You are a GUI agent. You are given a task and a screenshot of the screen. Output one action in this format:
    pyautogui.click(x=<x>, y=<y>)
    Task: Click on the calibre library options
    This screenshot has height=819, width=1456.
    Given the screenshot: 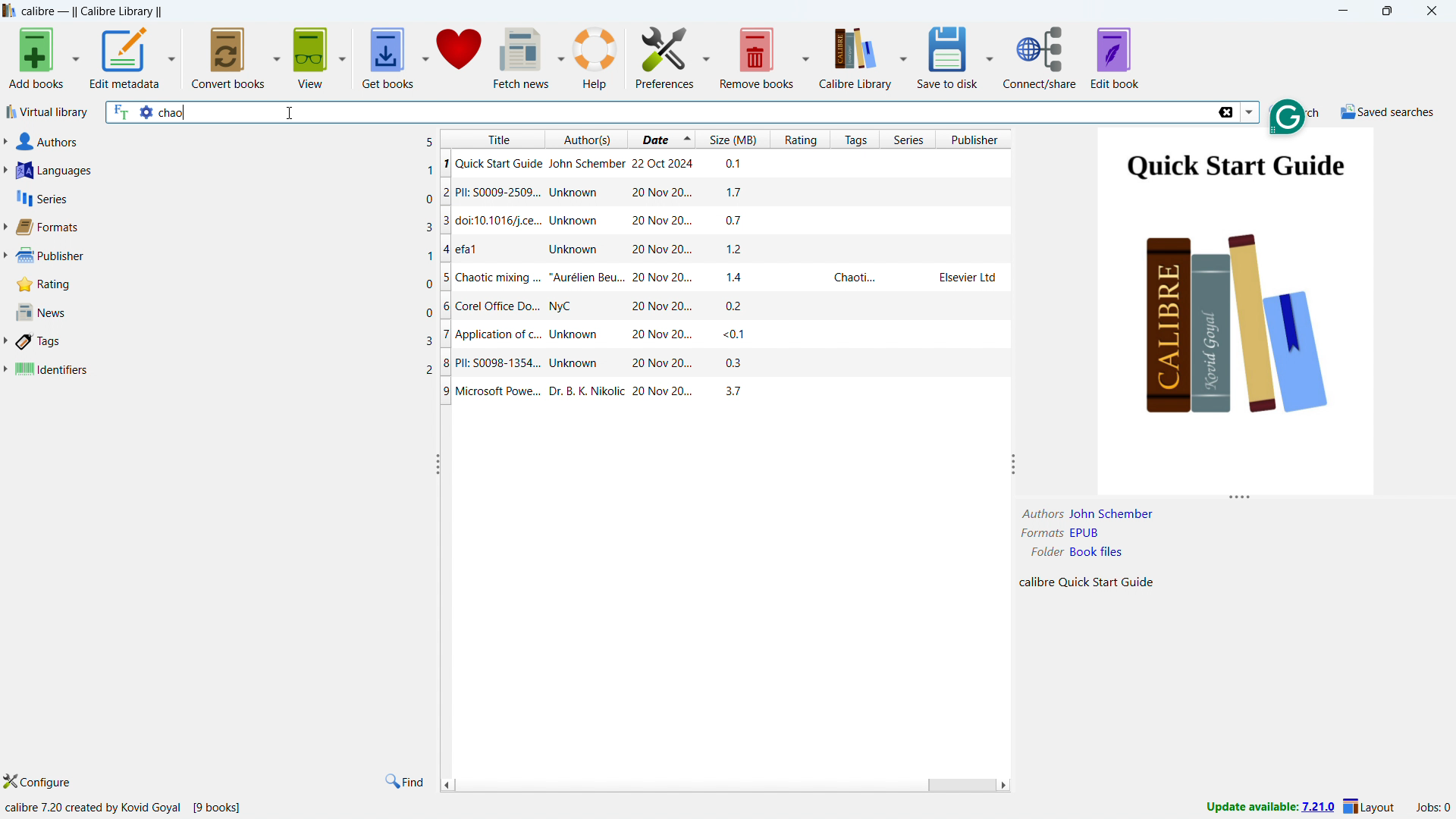 What is the action you would take?
    pyautogui.click(x=902, y=56)
    